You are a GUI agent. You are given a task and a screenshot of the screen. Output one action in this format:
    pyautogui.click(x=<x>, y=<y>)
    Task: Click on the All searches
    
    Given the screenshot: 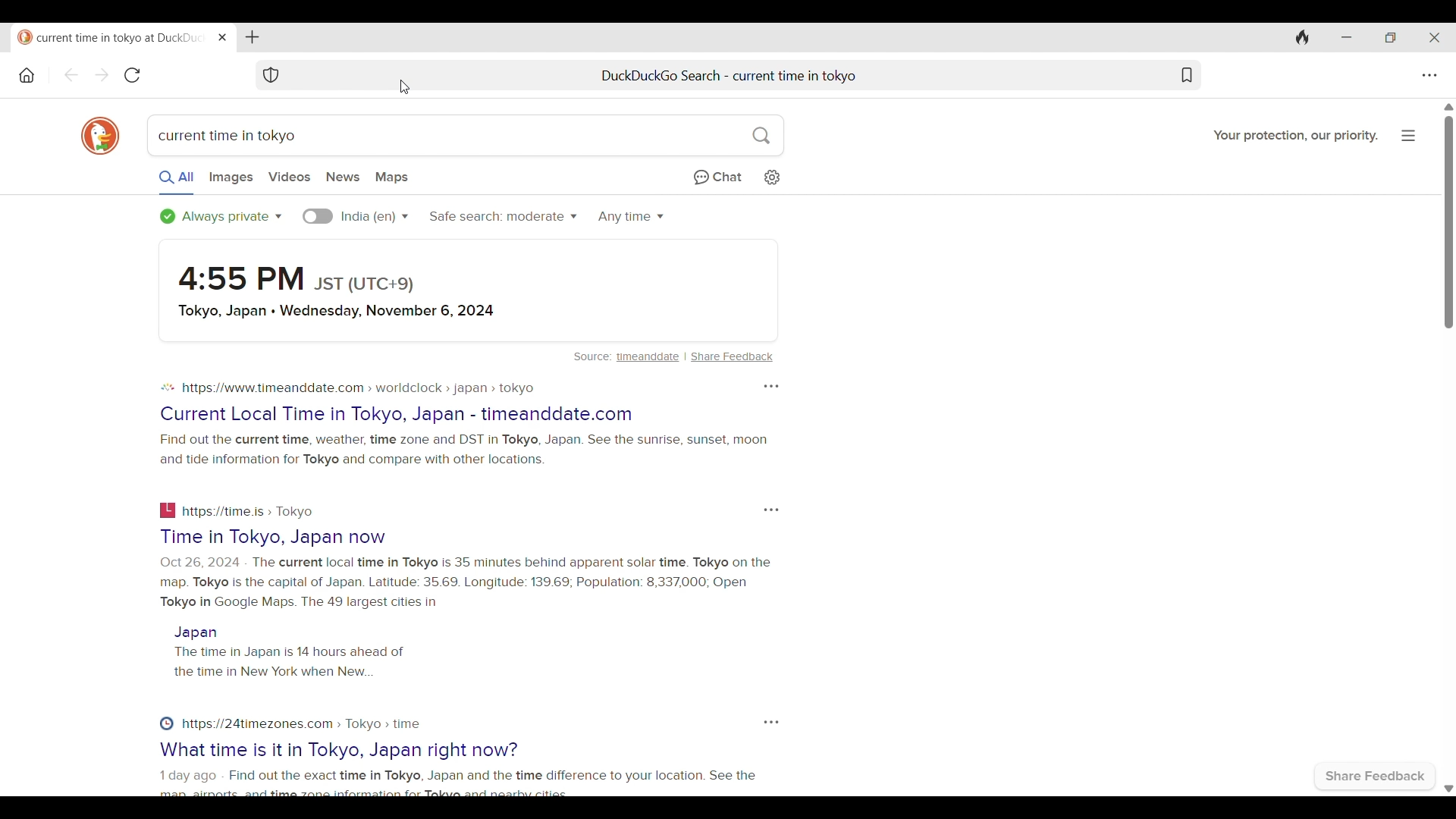 What is the action you would take?
    pyautogui.click(x=177, y=181)
    